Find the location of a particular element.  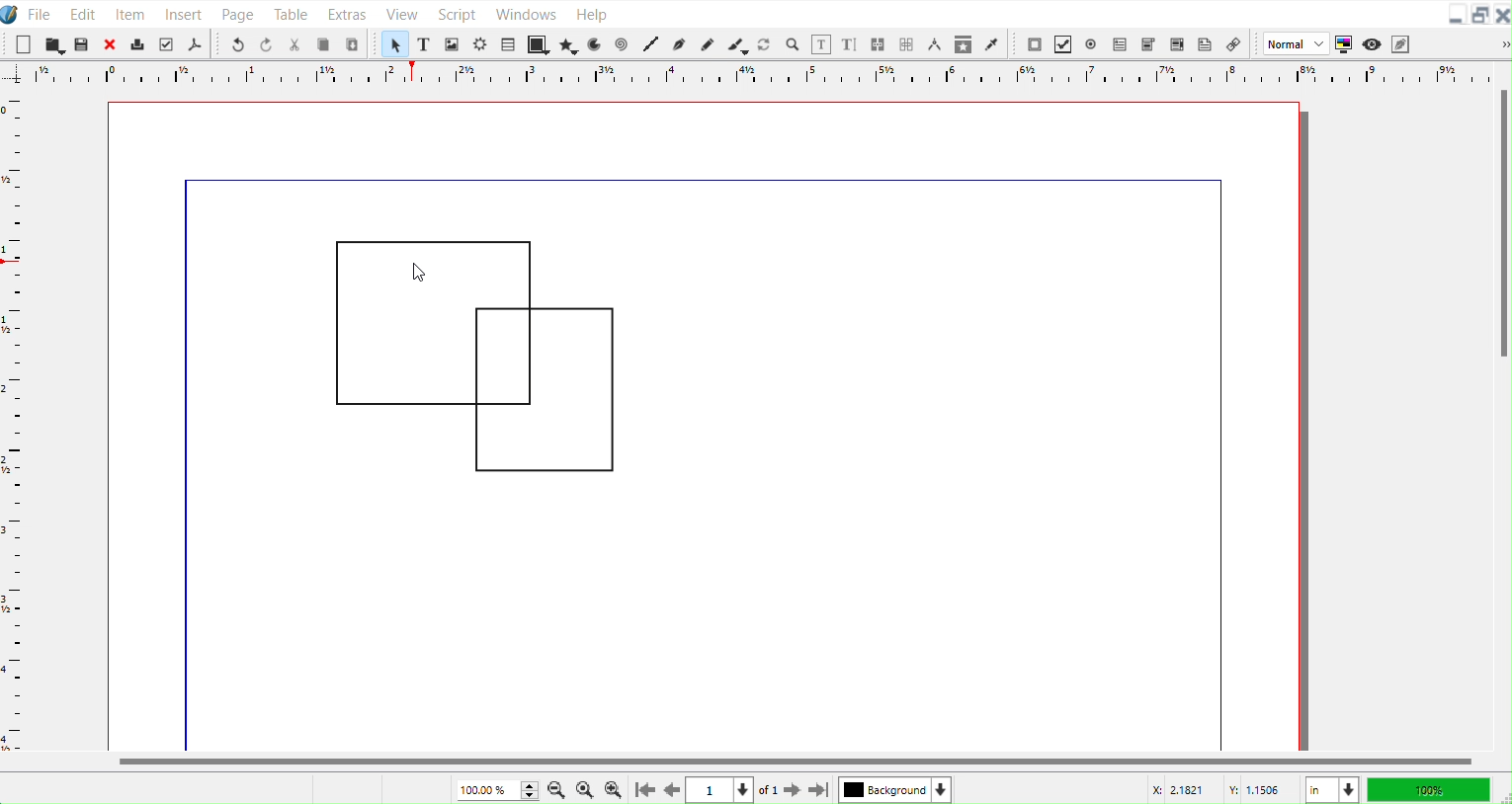

Toggle color is located at coordinates (1342, 44).